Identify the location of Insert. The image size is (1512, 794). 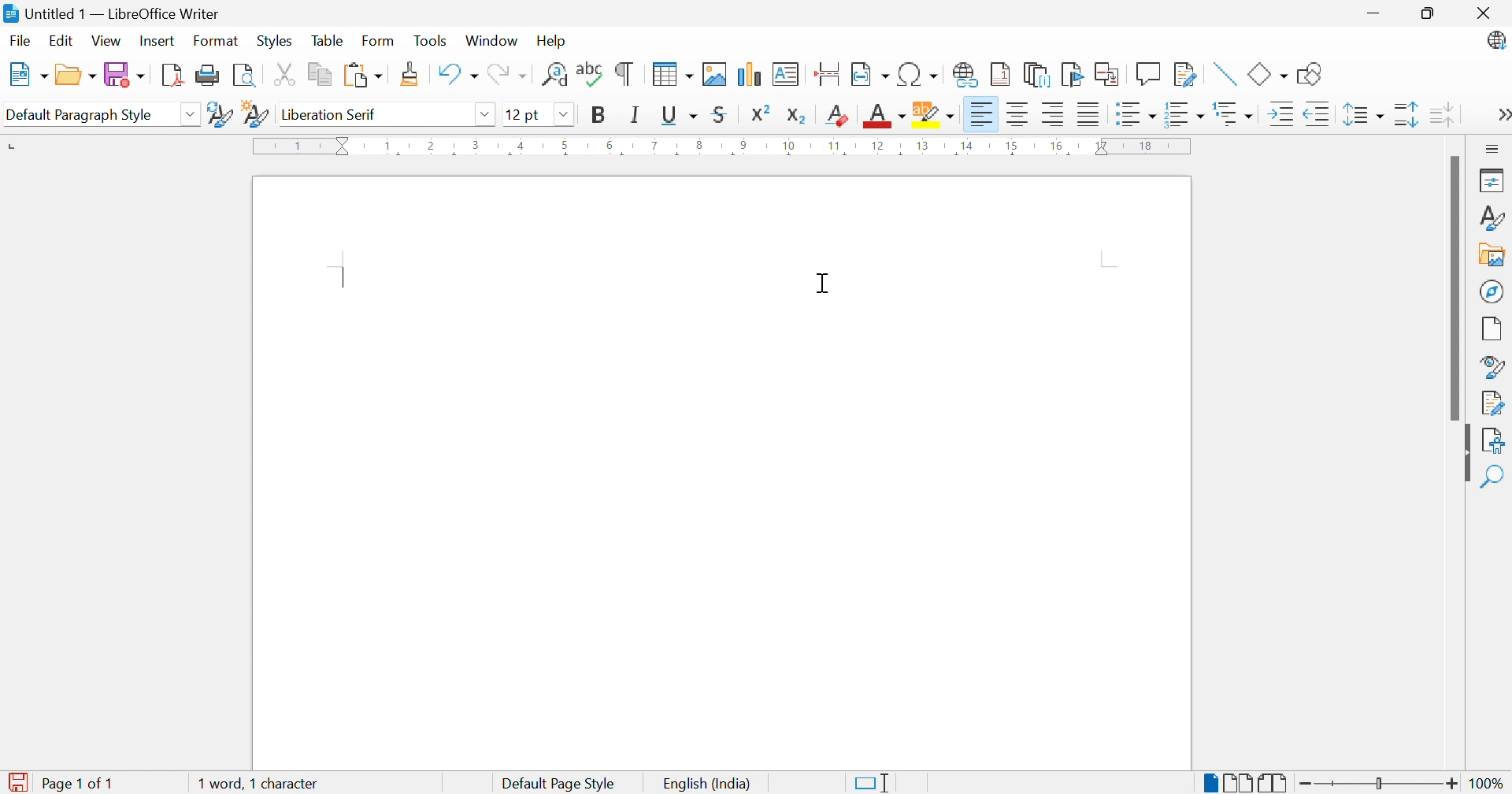
(159, 39).